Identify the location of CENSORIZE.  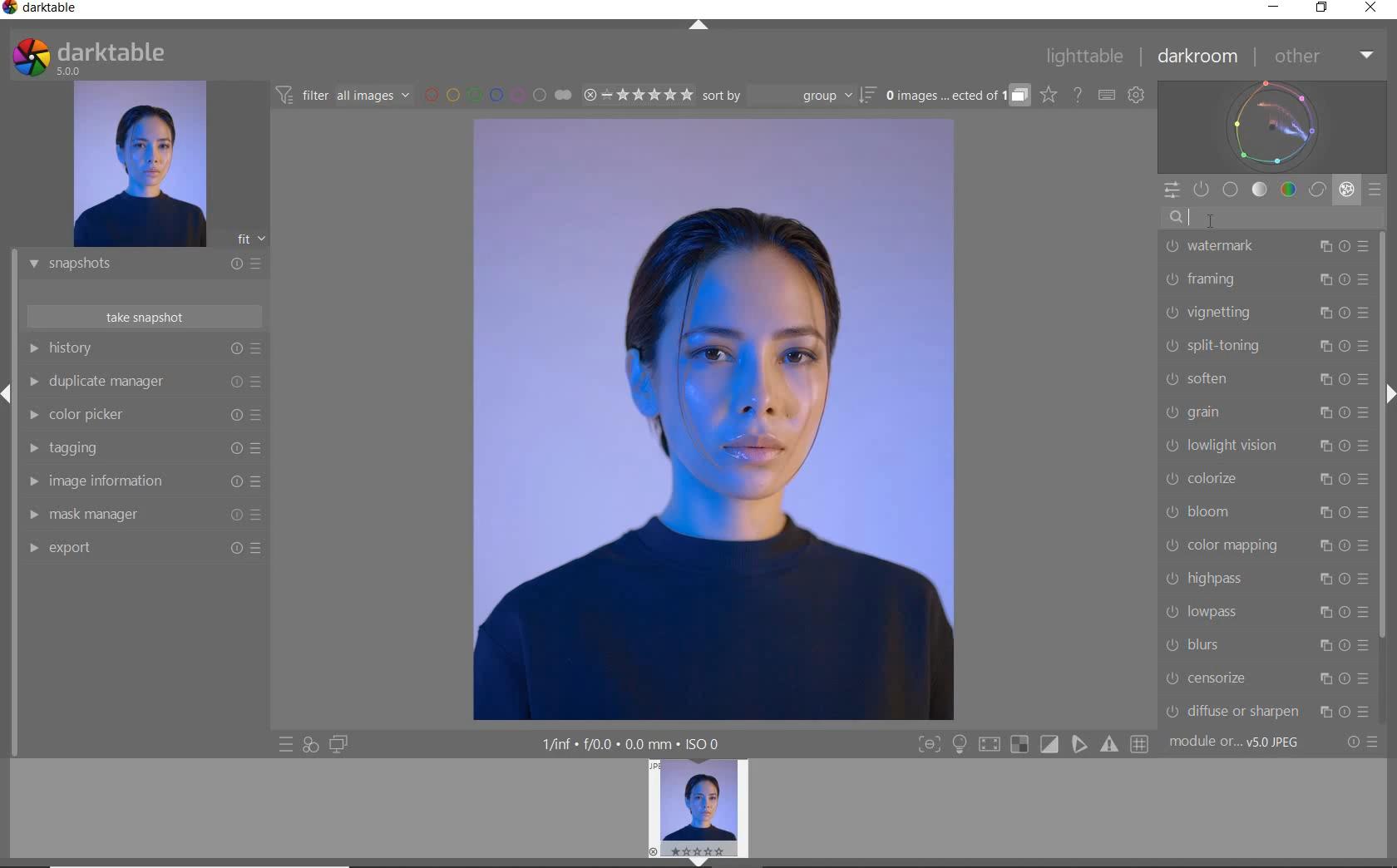
(1266, 678).